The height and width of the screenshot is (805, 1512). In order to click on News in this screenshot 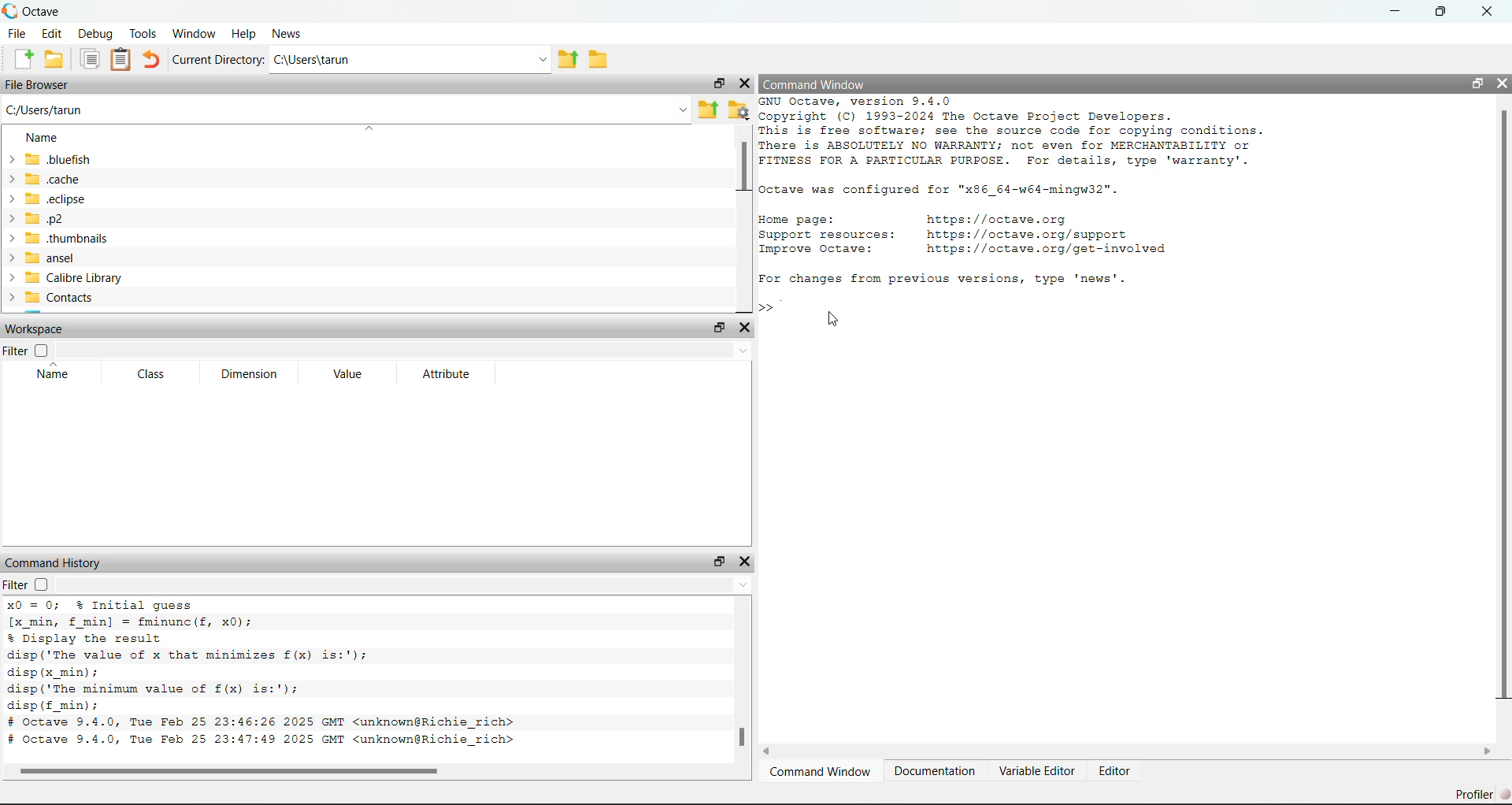, I will do `click(288, 33)`.